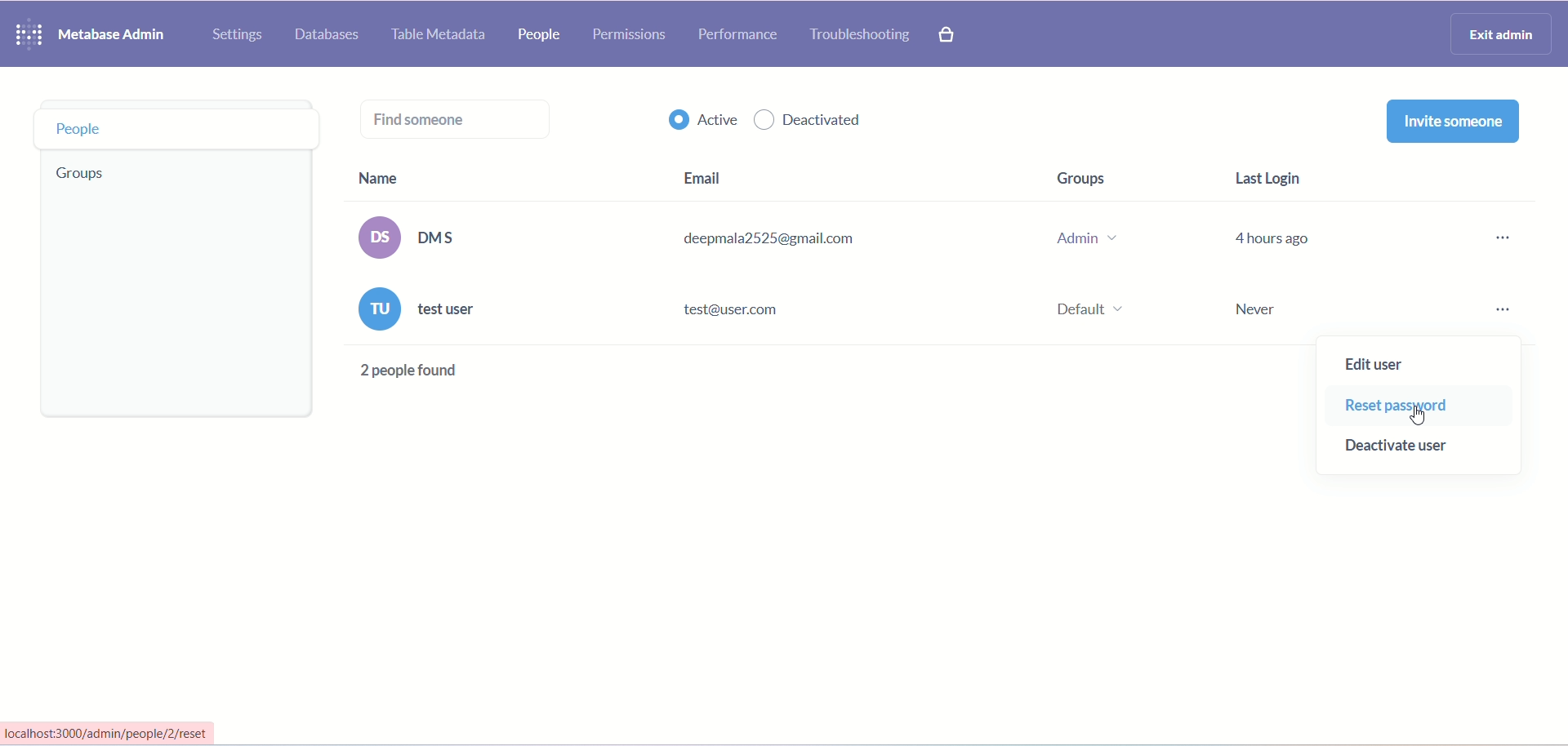 Image resolution: width=1568 pixels, height=746 pixels. Describe the element at coordinates (835, 313) in the screenshot. I see `(ru) test user test@user.com Default ~ Never` at that location.